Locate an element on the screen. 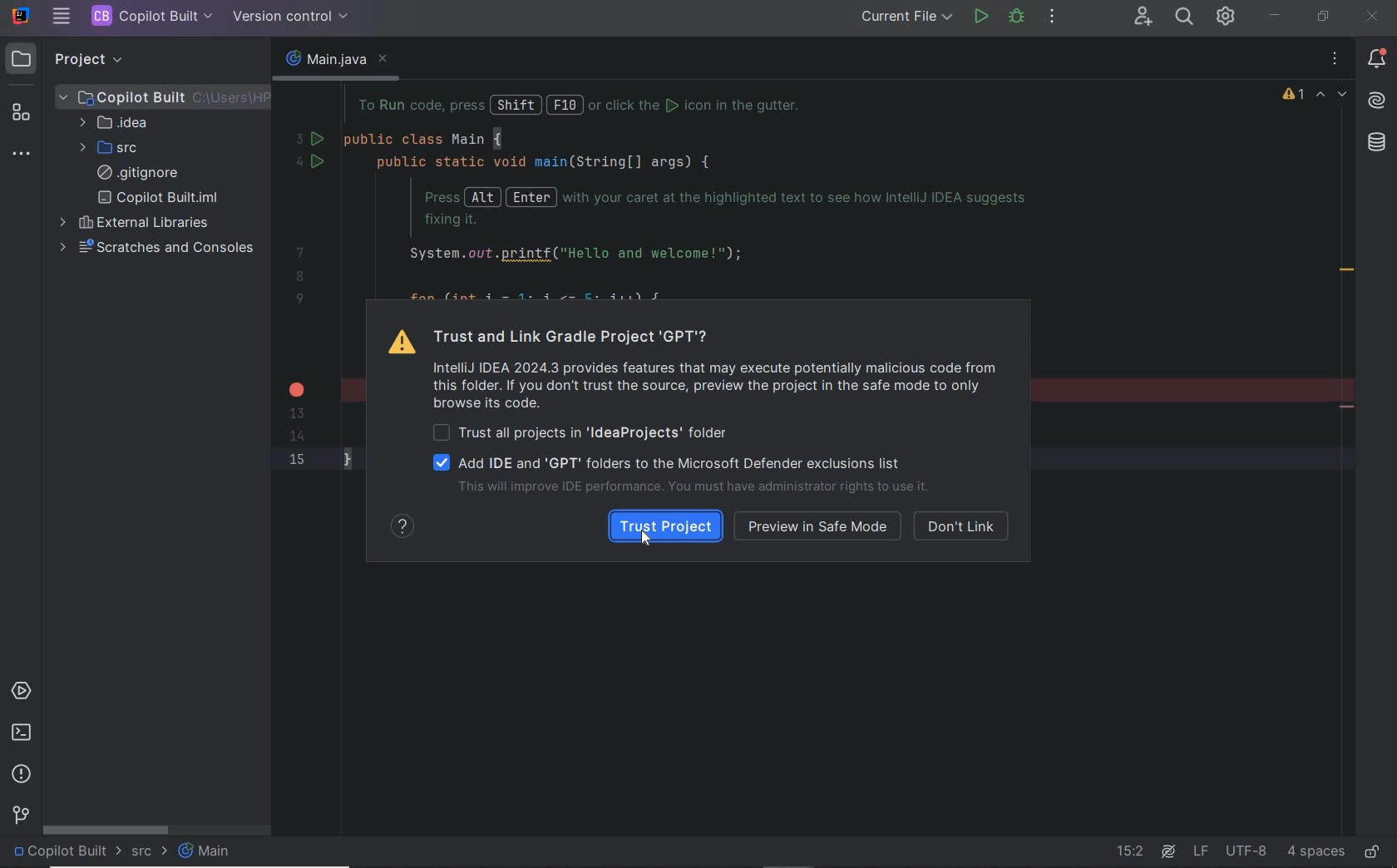 The image size is (1397, 868). close is located at coordinates (1371, 16).